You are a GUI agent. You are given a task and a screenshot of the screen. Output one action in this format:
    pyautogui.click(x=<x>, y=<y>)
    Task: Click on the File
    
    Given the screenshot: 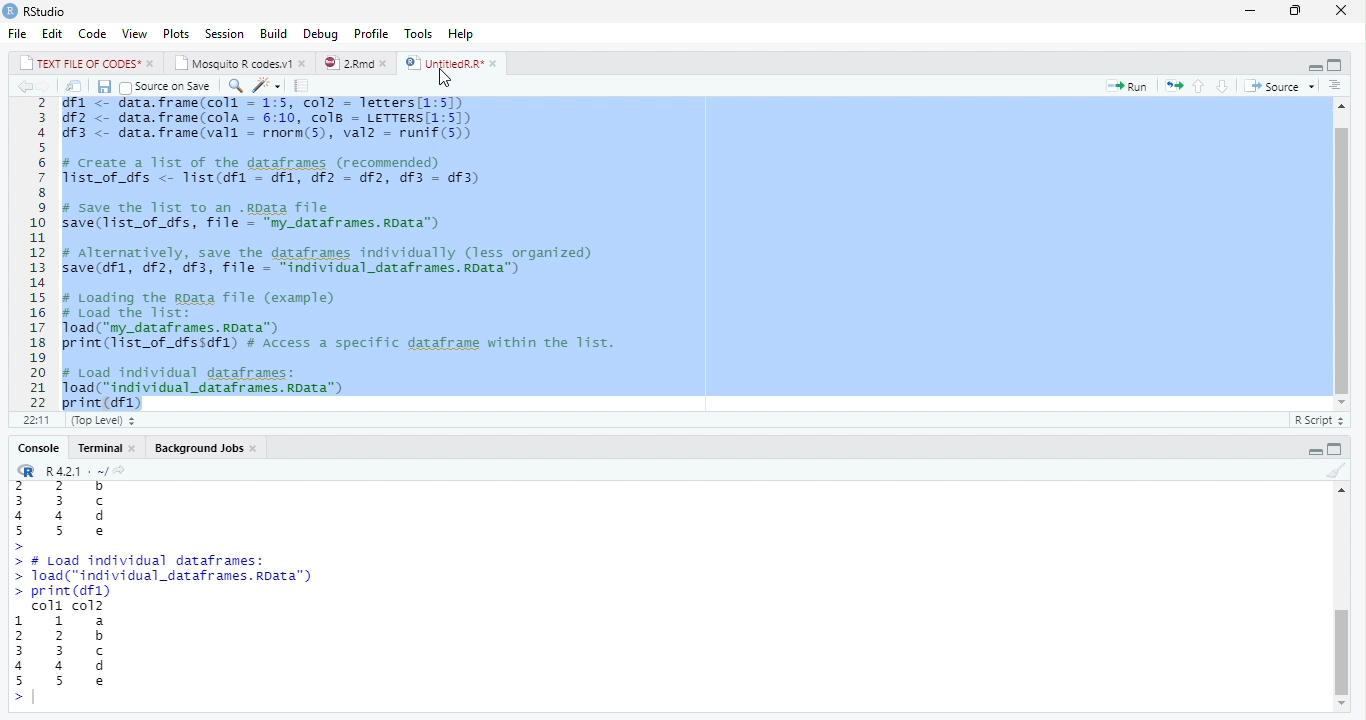 What is the action you would take?
    pyautogui.click(x=19, y=33)
    